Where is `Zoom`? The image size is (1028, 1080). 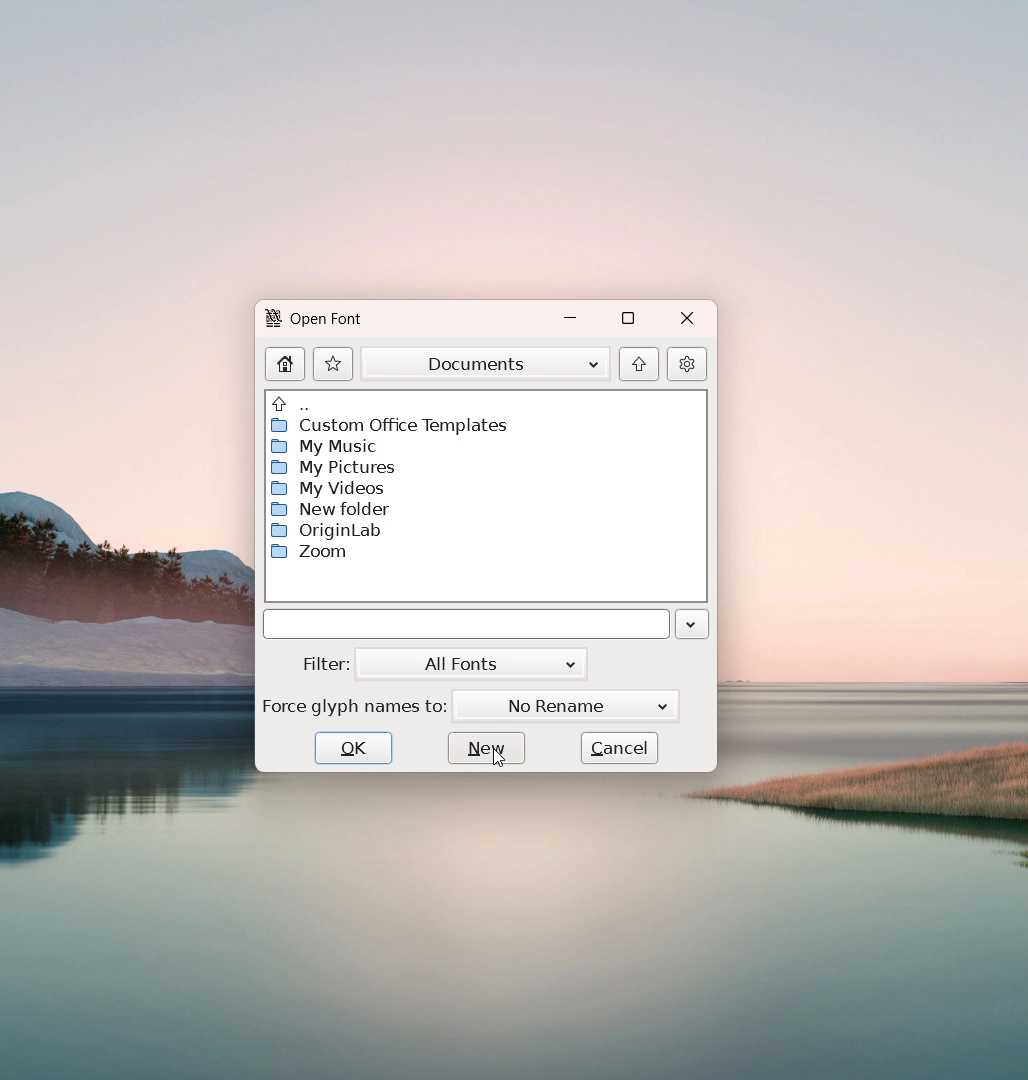
Zoom is located at coordinates (317, 552).